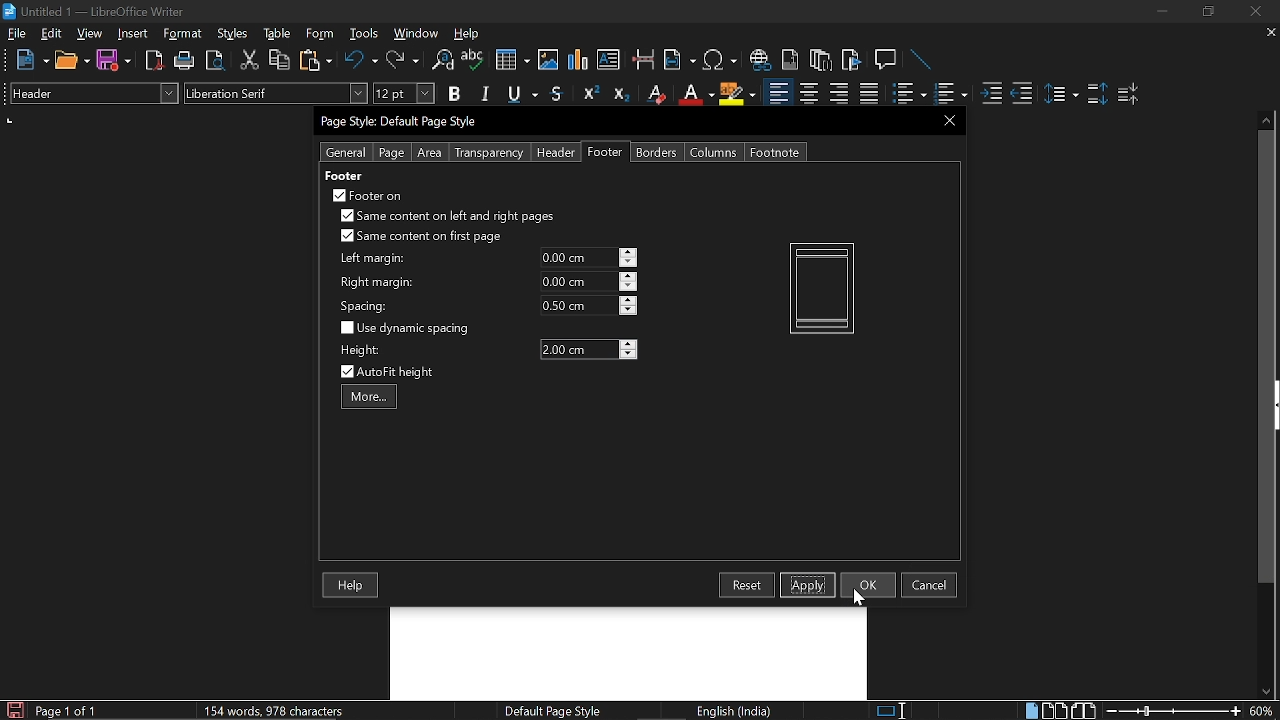 This screenshot has width=1280, height=720. Describe the element at coordinates (250, 60) in the screenshot. I see `Cut` at that location.